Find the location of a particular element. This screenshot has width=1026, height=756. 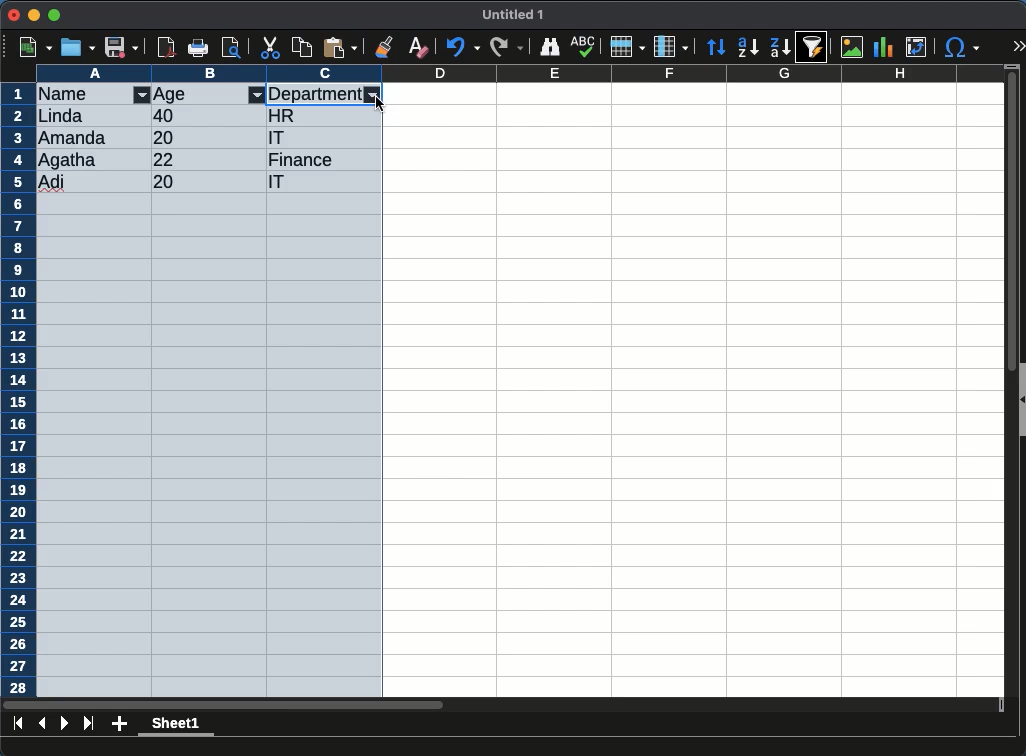

next page is located at coordinates (65, 723).